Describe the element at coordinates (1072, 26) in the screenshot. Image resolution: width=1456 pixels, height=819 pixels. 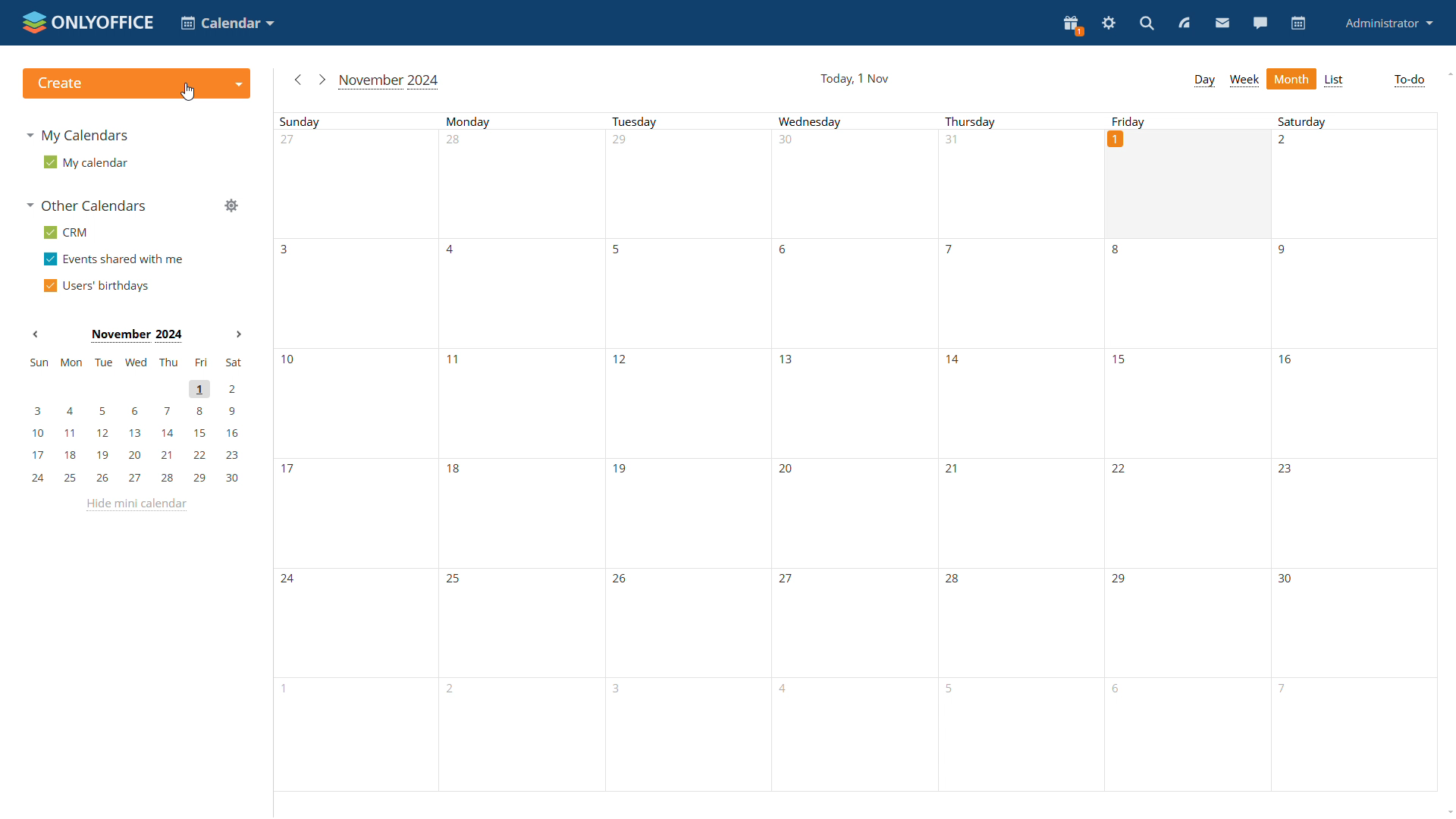
I see `present` at that location.